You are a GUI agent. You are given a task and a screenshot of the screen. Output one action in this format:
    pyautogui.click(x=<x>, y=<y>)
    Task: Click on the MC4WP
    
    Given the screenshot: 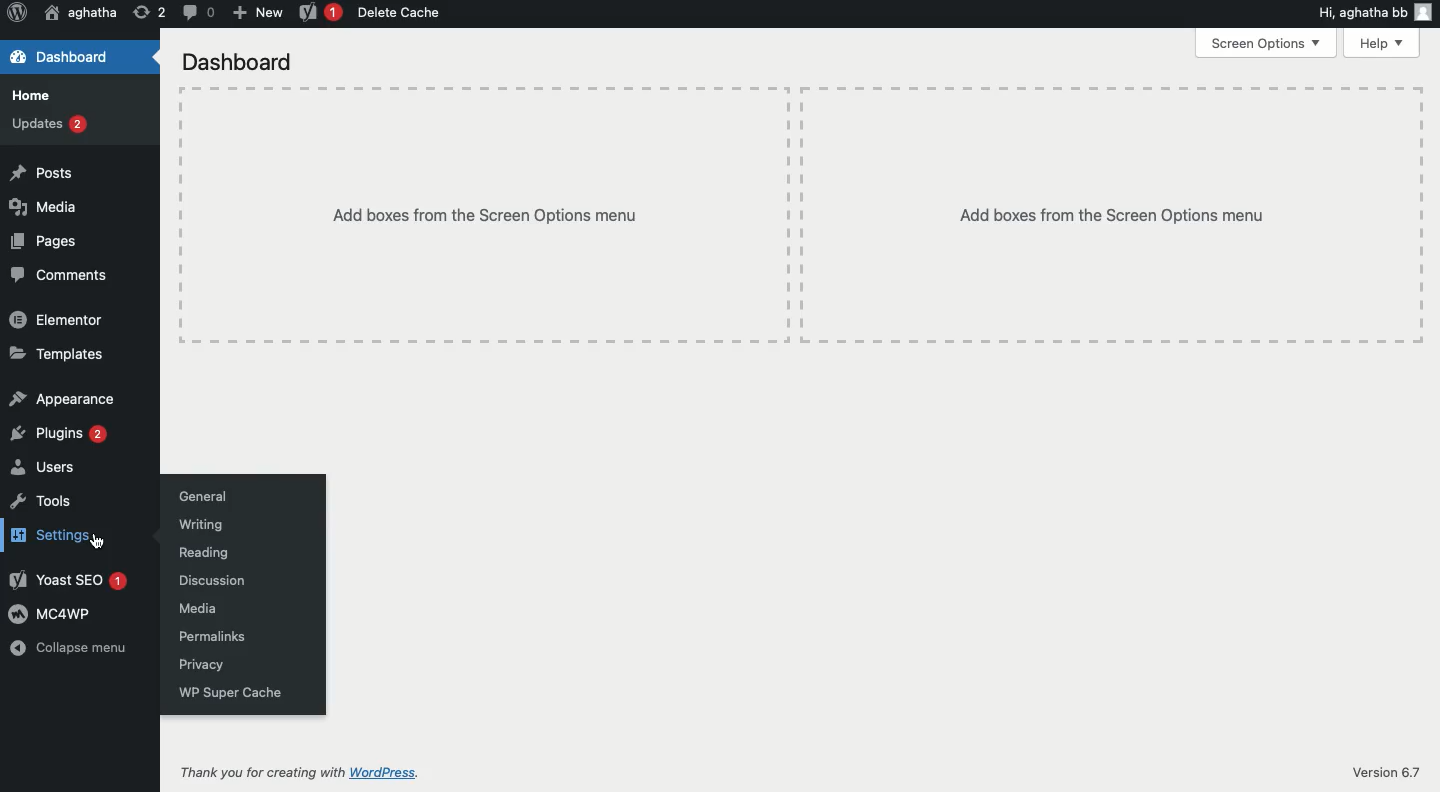 What is the action you would take?
    pyautogui.click(x=49, y=615)
    